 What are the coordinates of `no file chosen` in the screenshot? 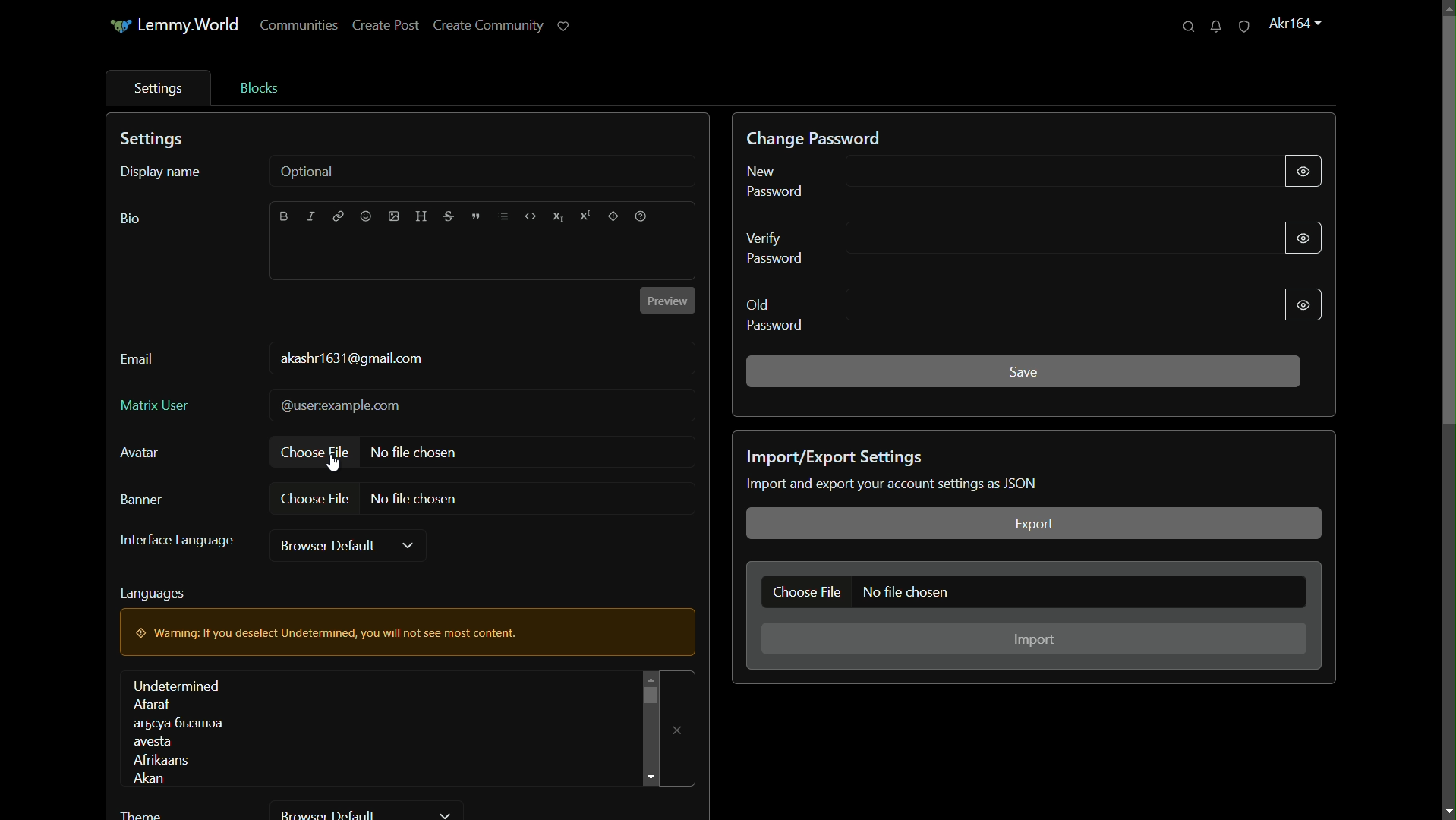 It's located at (418, 498).